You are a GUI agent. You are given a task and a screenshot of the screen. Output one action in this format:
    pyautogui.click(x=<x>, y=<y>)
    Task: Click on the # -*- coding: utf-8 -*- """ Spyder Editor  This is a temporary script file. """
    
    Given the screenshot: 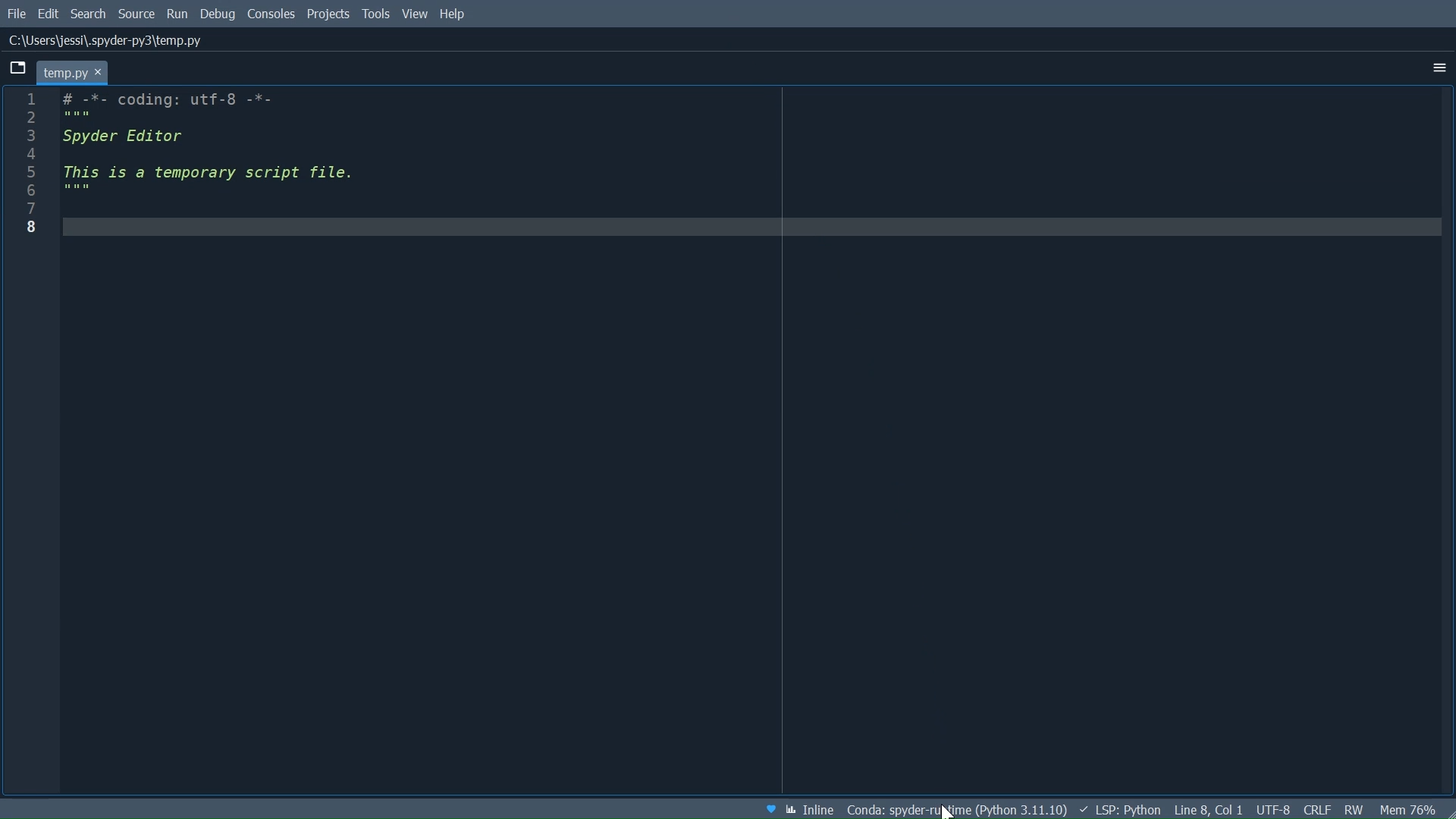 What is the action you would take?
    pyautogui.click(x=750, y=441)
    